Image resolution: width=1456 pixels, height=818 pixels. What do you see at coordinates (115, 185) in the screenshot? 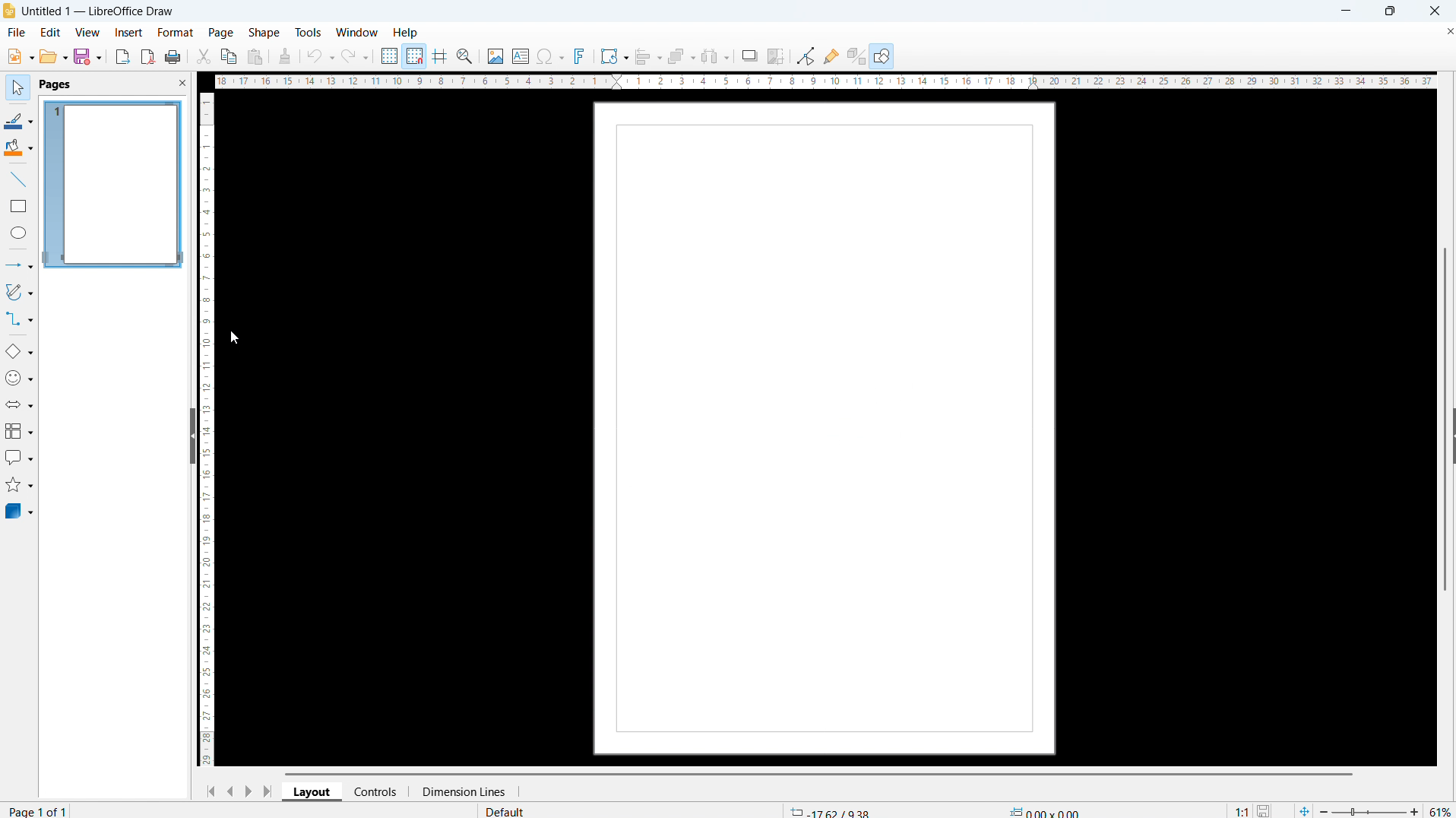
I see `page 1` at bounding box center [115, 185].